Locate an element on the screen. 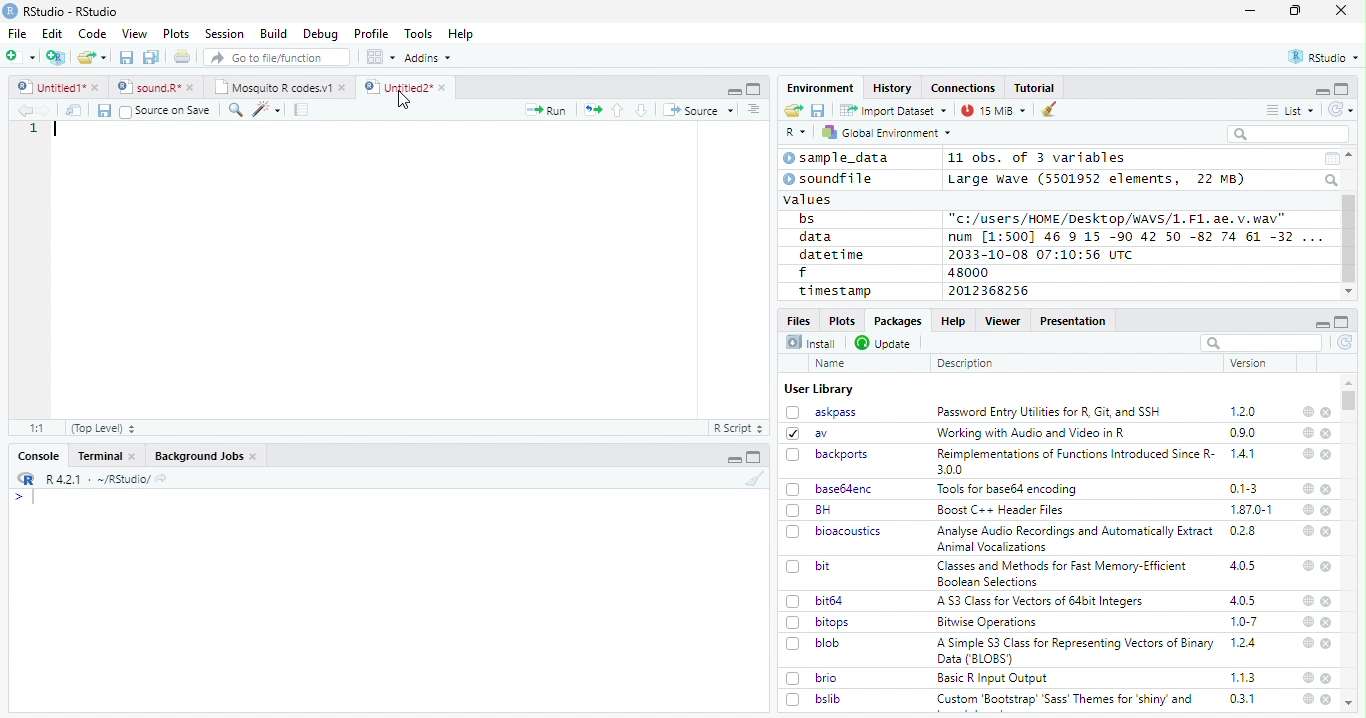  help is located at coordinates (1307, 600).